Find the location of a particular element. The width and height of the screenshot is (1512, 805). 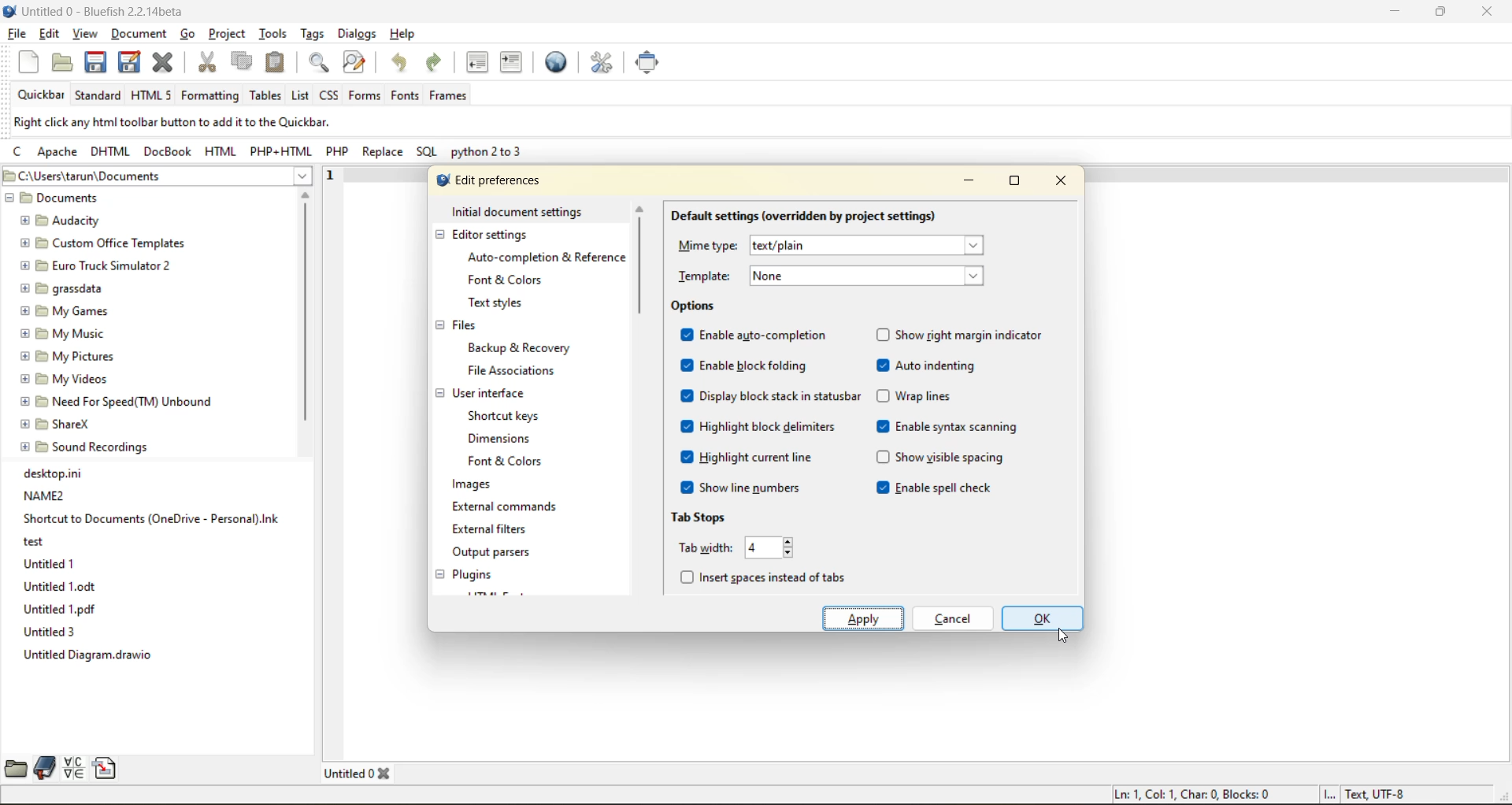

# [9 Euro Truck Simulator 2 is located at coordinates (93, 265).